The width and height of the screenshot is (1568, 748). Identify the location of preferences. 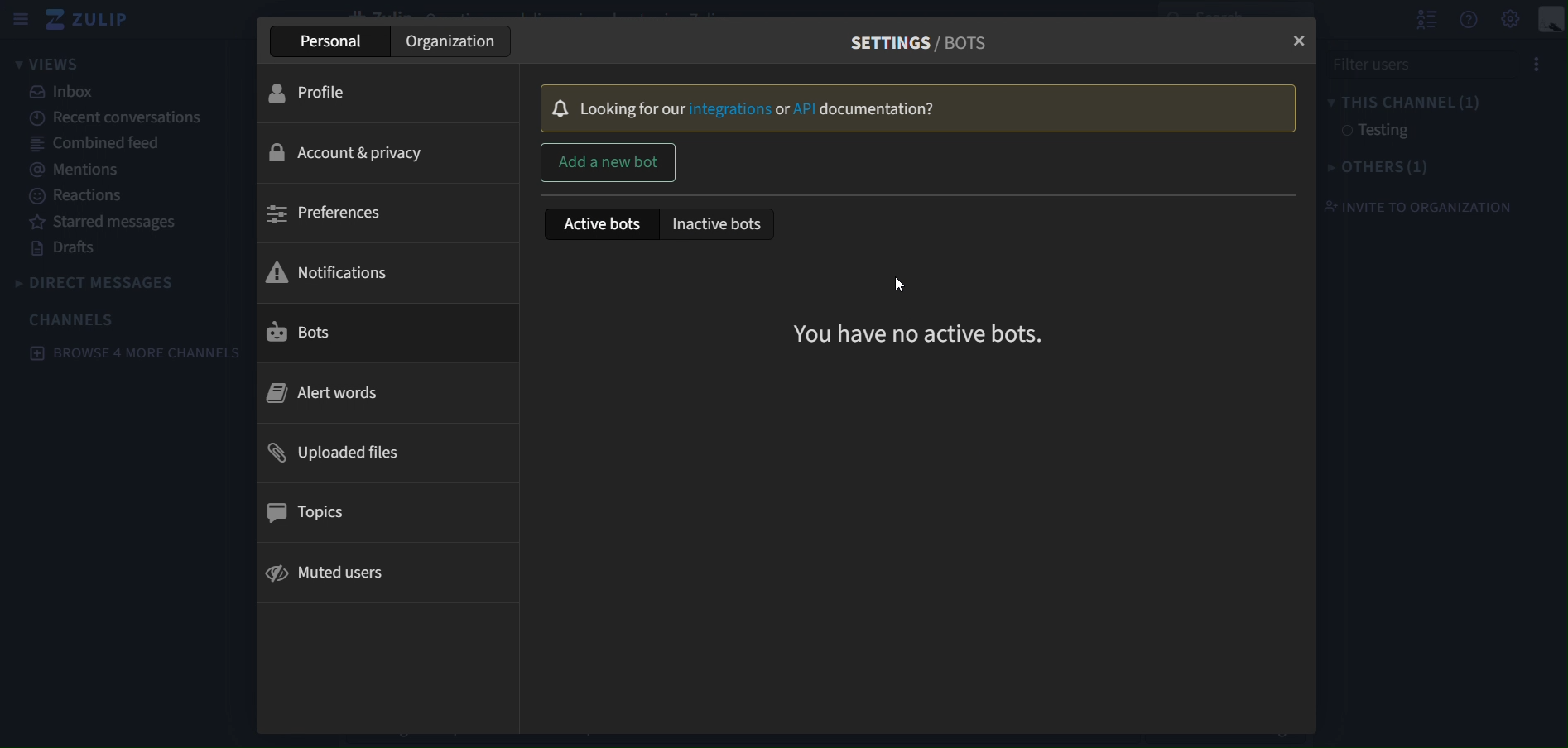
(341, 216).